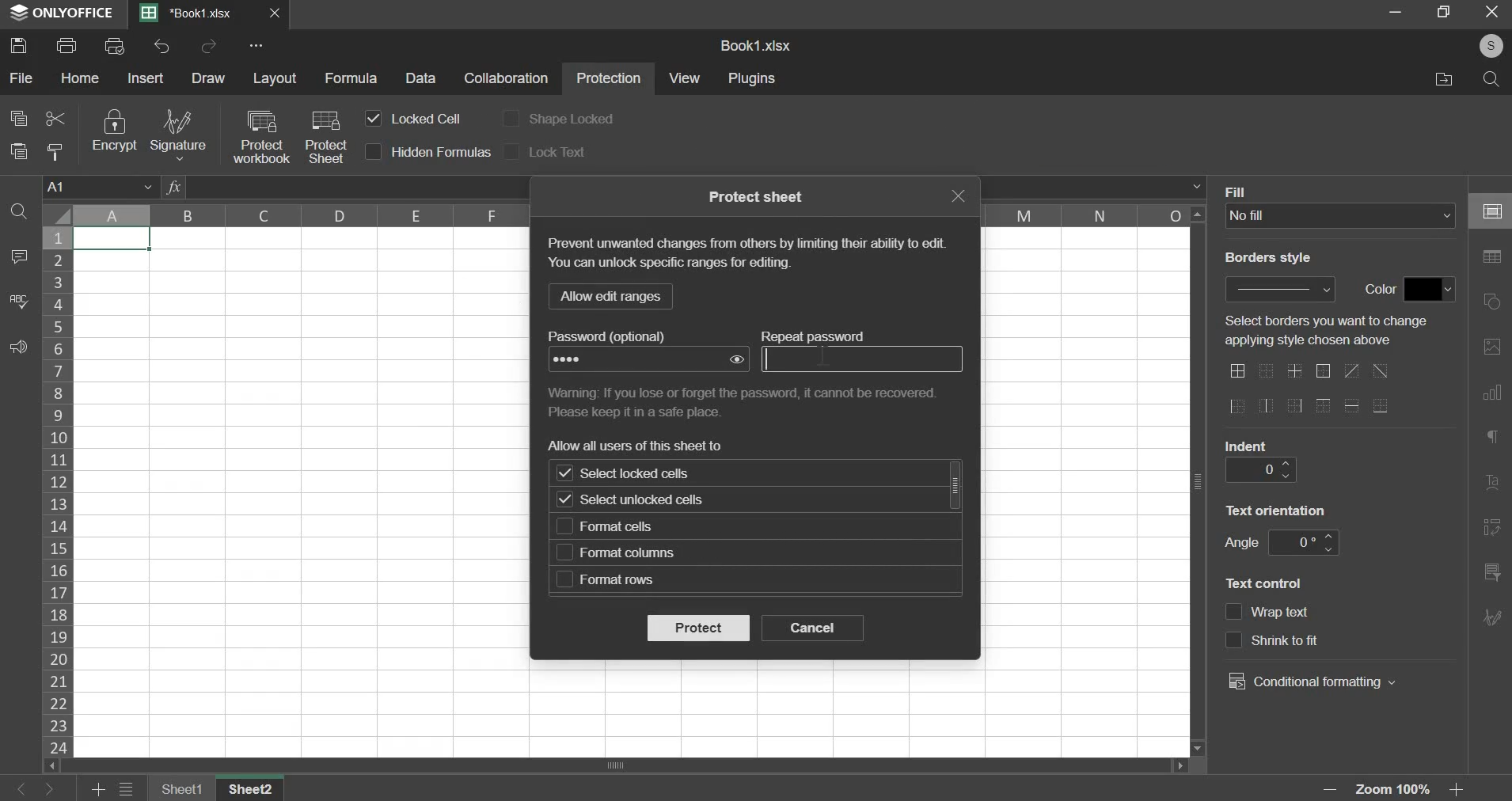 Image resolution: width=1512 pixels, height=801 pixels. I want to click on more, so click(259, 45).